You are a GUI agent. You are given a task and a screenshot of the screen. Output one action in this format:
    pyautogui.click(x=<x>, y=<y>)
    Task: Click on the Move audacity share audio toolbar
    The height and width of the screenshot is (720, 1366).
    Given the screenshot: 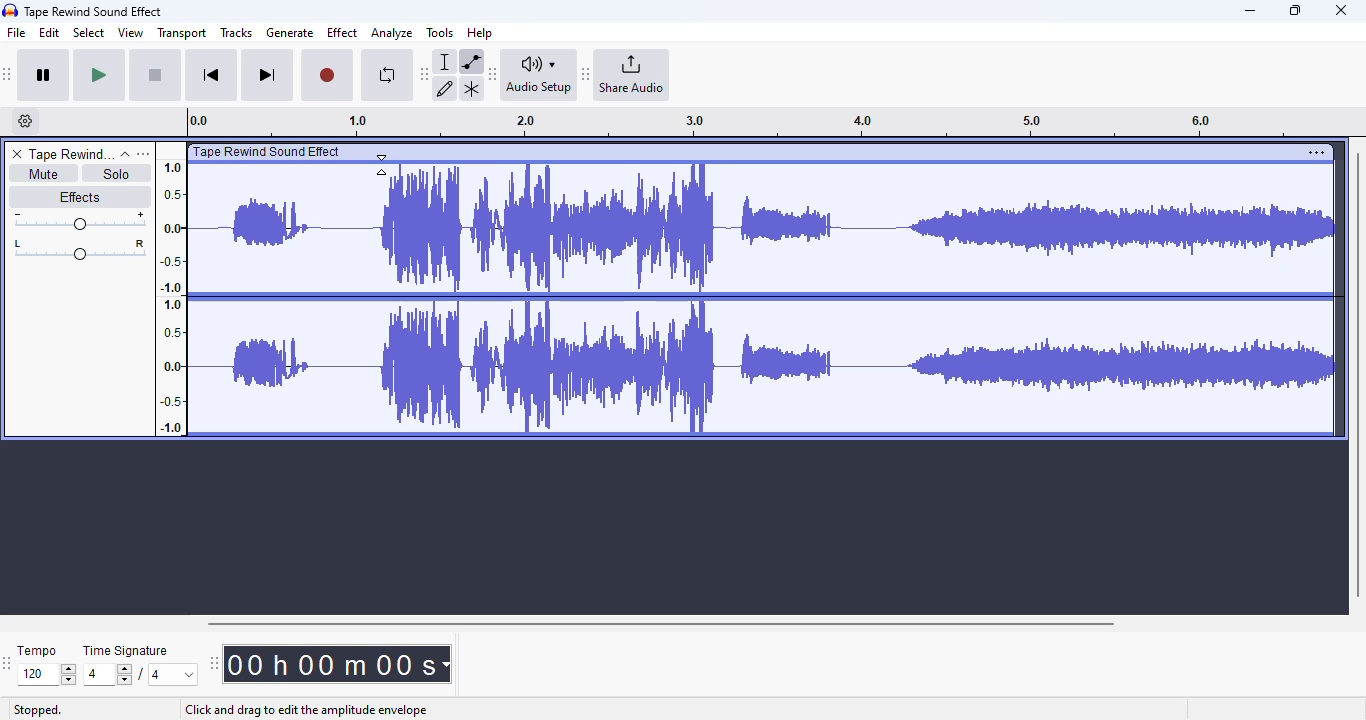 What is the action you would take?
    pyautogui.click(x=586, y=75)
    